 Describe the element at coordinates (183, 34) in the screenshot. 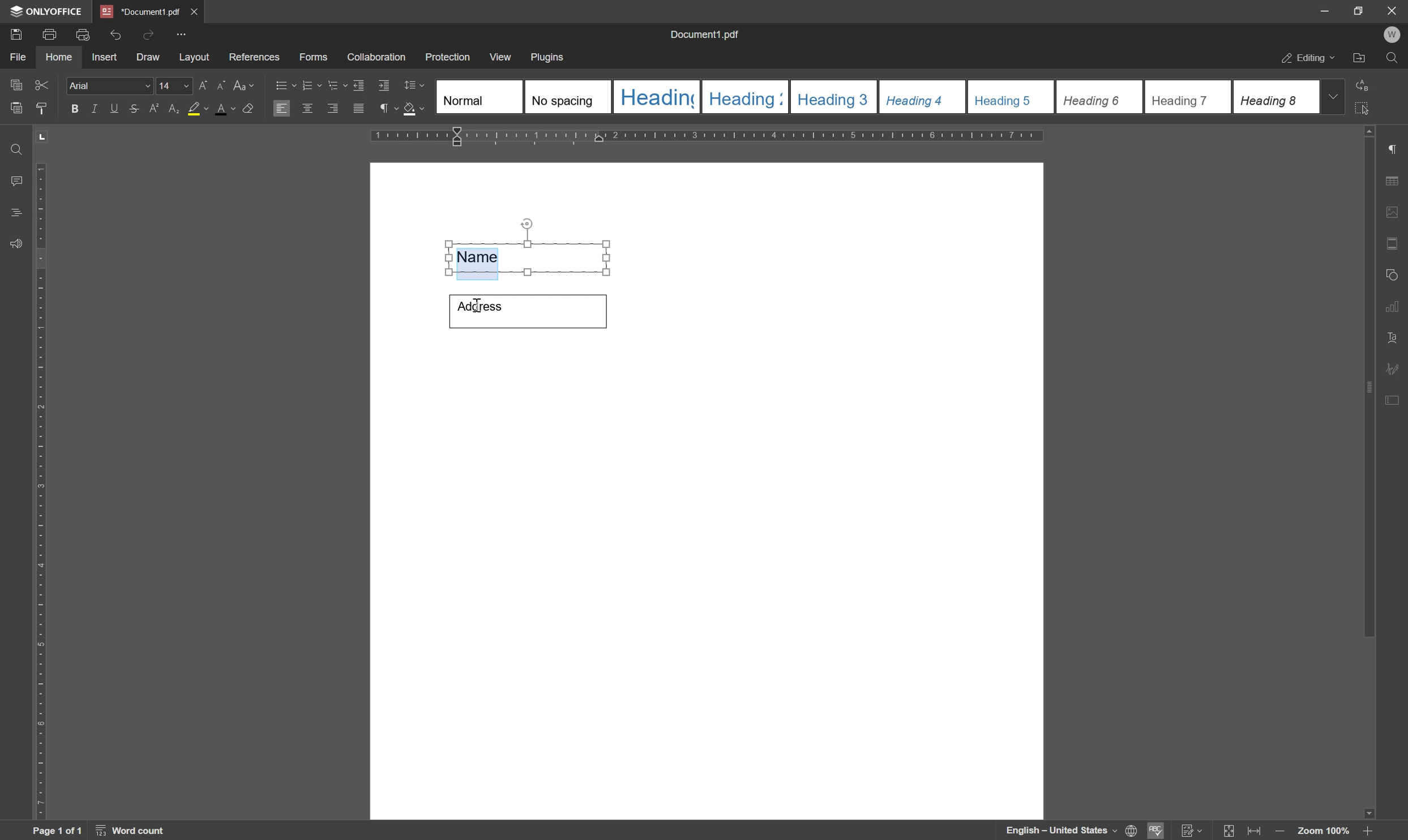

I see `customize quick access toolbar` at that location.